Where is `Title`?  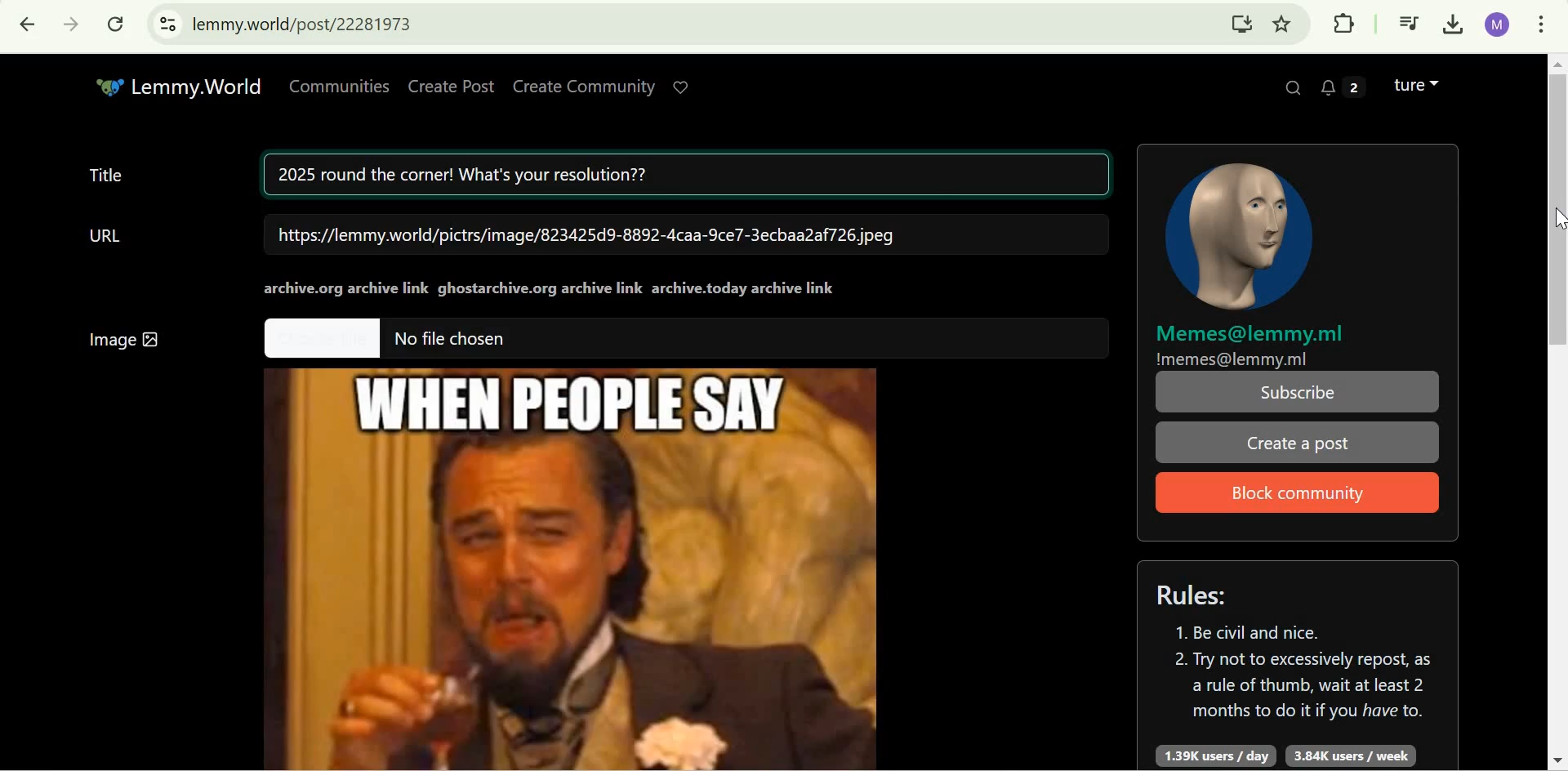 Title is located at coordinates (105, 173).